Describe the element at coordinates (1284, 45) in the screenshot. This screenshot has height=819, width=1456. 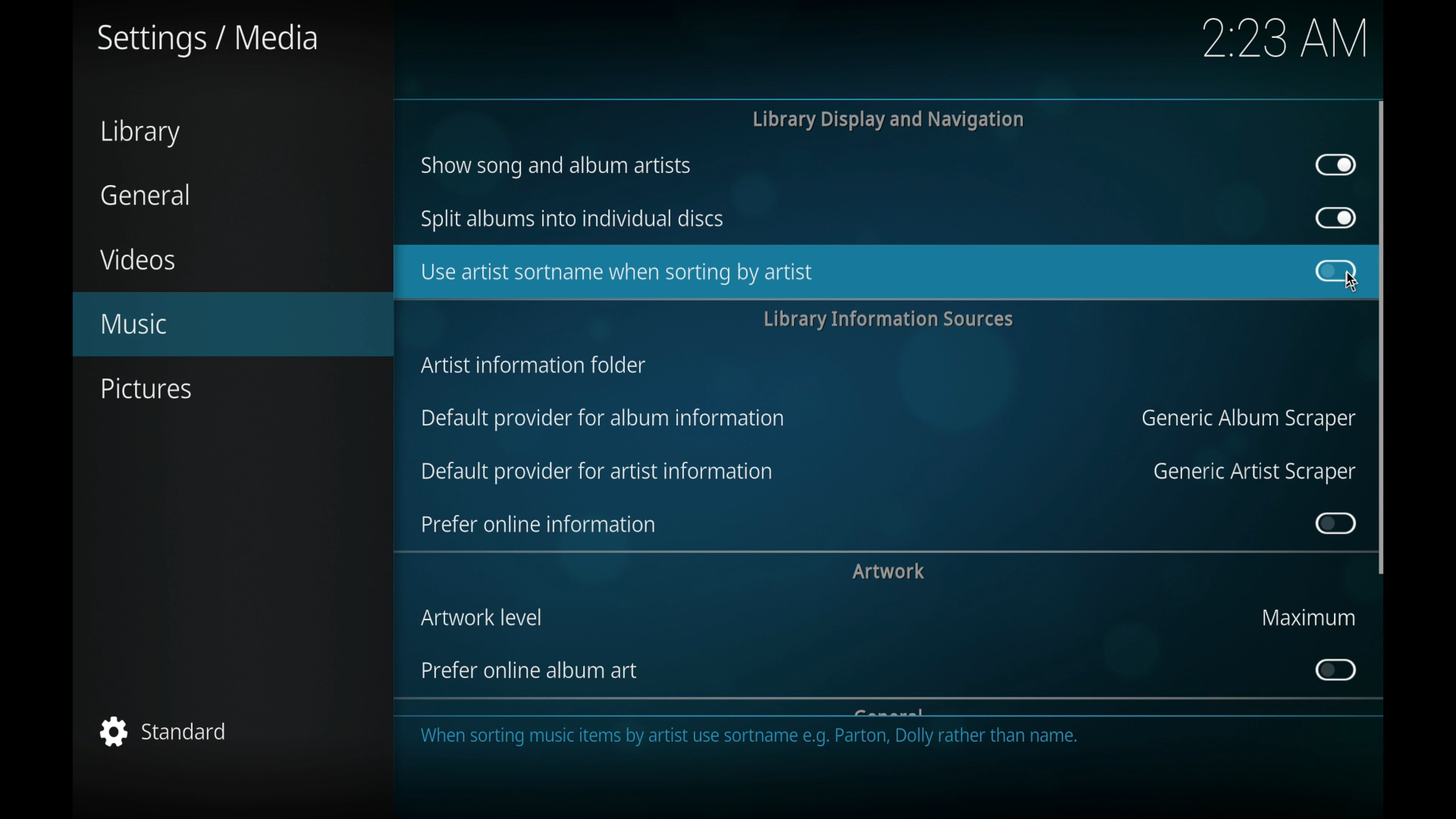
I see `2:23 AM` at that location.